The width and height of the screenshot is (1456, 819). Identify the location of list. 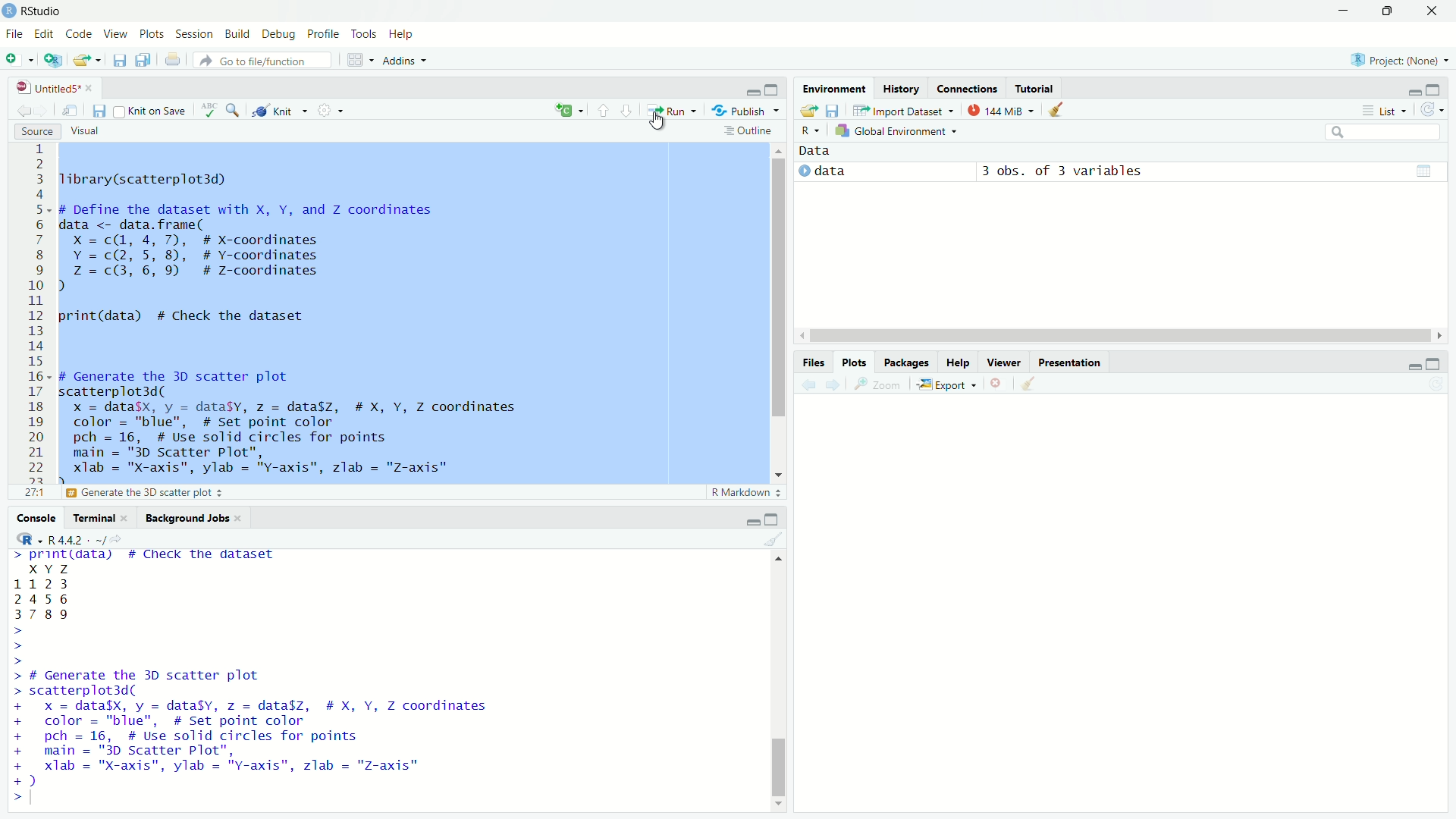
(1385, 111).